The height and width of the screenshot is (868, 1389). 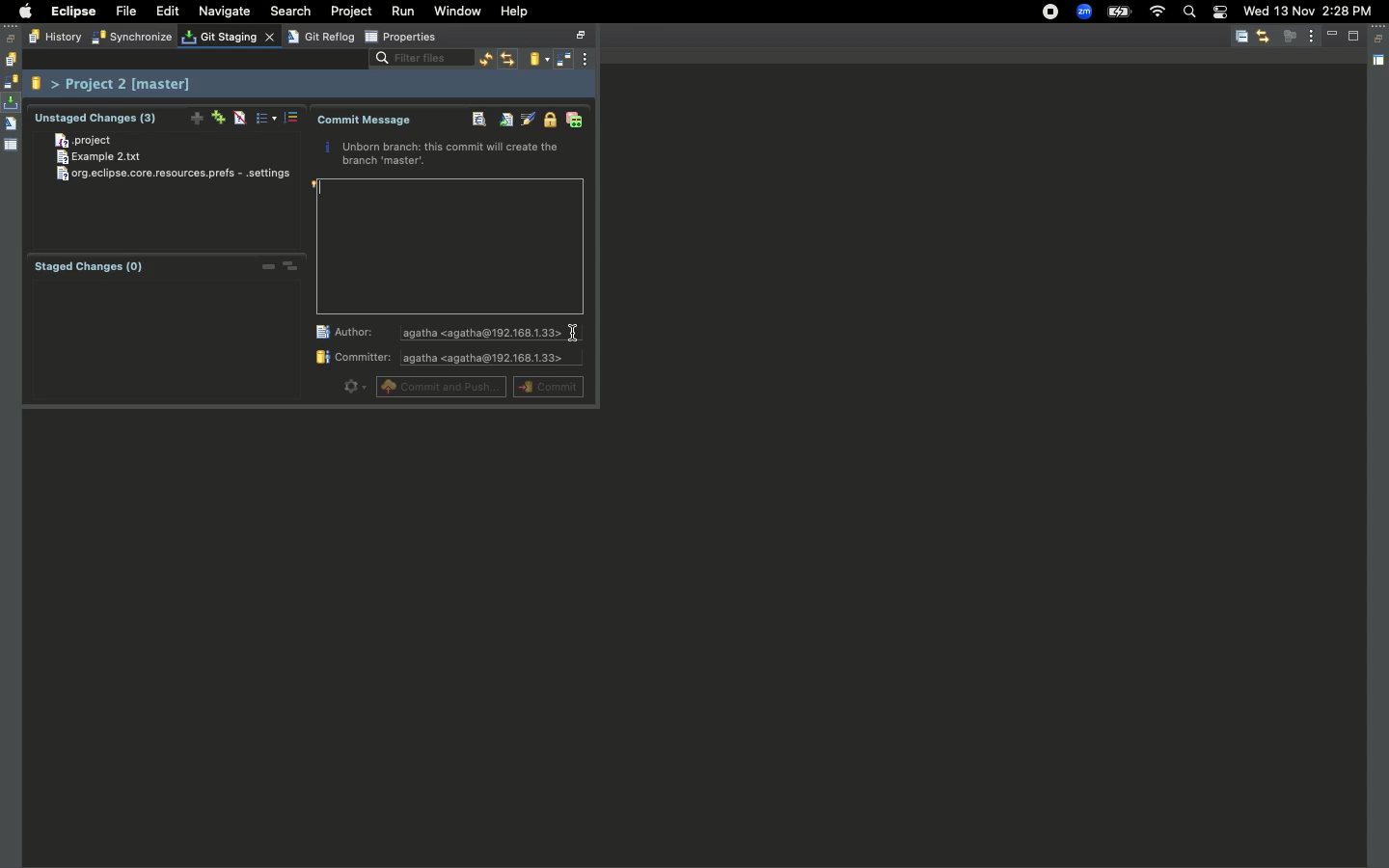 What do you see at coordinates (1355, 36) in the screenshot?
I see `Maximize` at bounding box center [1355, 36].